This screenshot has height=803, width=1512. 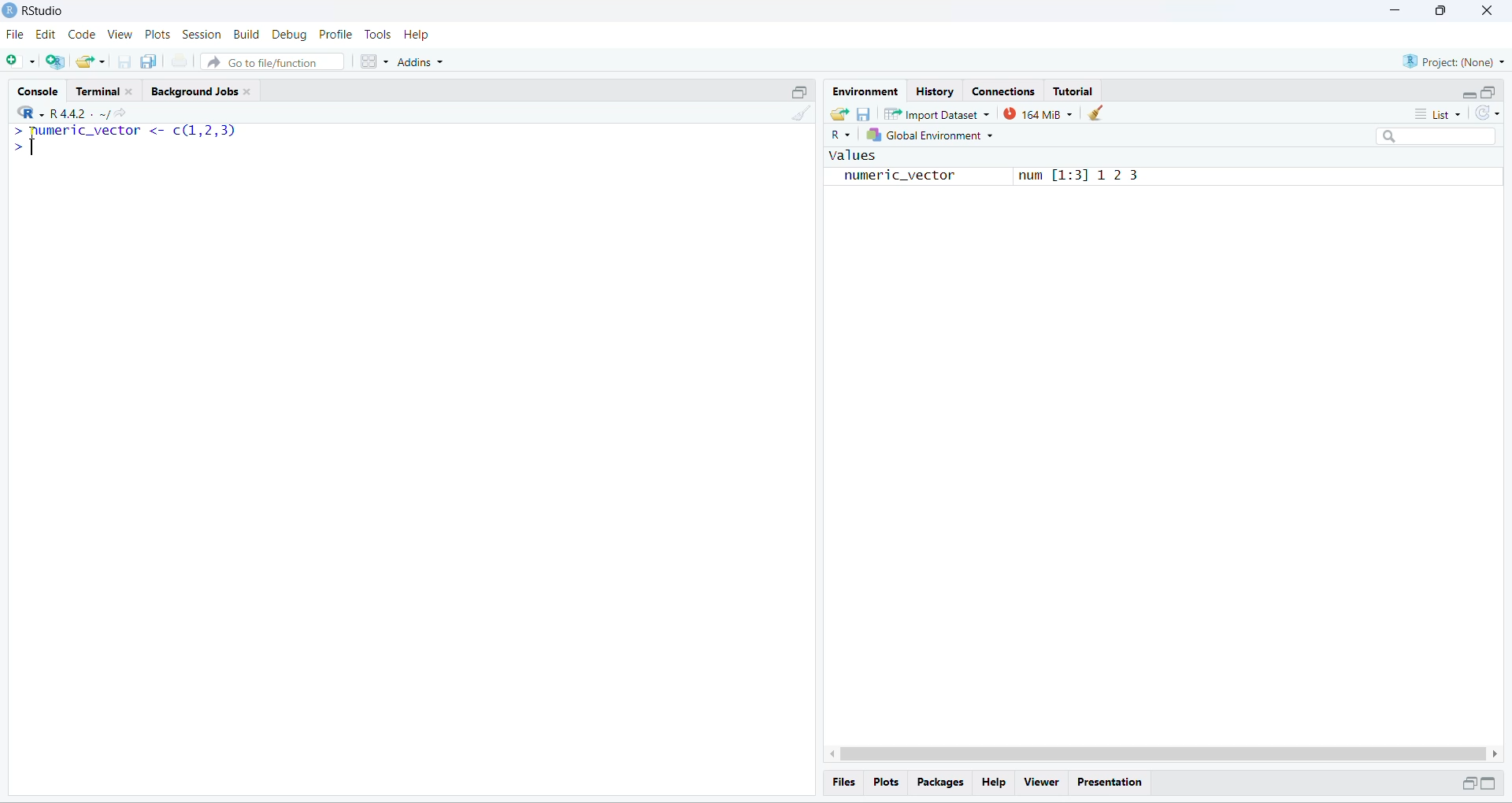 I want to click on values, so click(x=850, y=157).